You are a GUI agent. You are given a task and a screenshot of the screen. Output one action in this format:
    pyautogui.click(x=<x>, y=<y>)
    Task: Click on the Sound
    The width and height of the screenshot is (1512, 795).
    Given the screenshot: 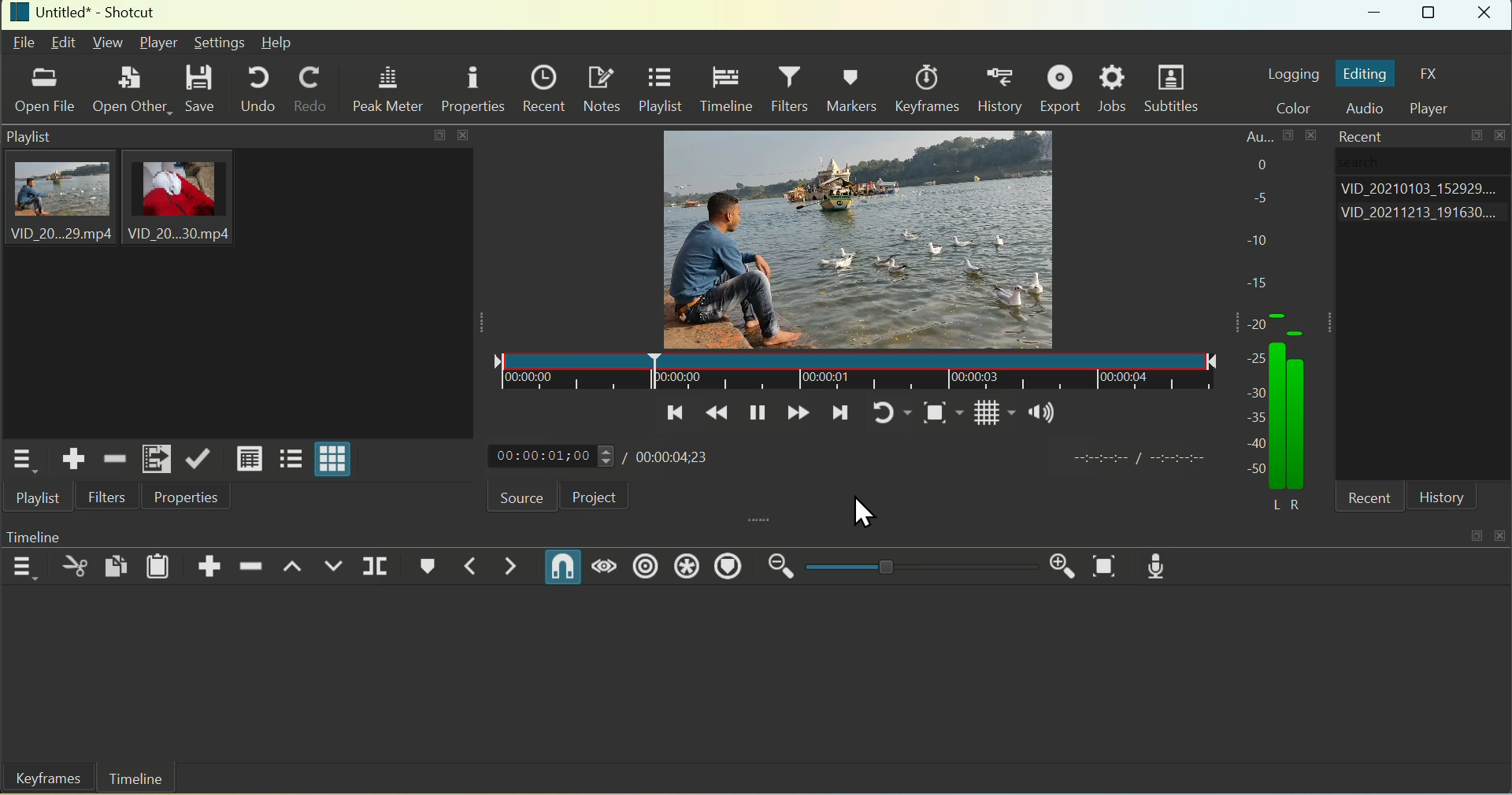 What is the action you would take?
    pyautogui.click(x=1043, y=416)
    